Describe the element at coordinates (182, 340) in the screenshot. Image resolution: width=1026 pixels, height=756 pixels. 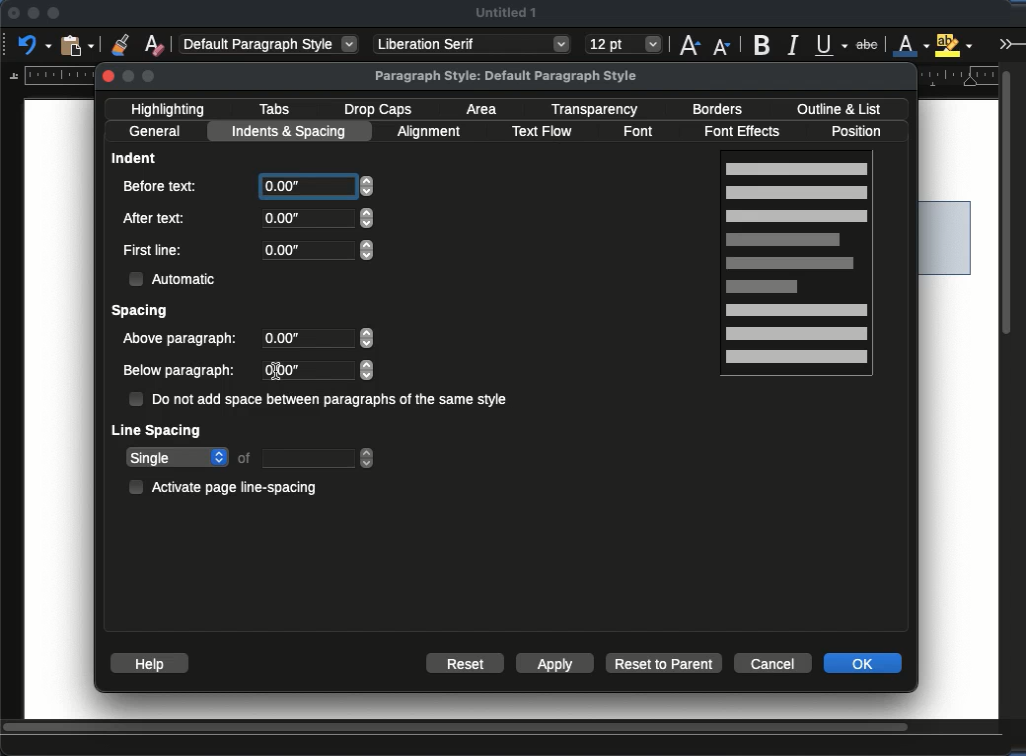
I see `above paragraph` at that location.